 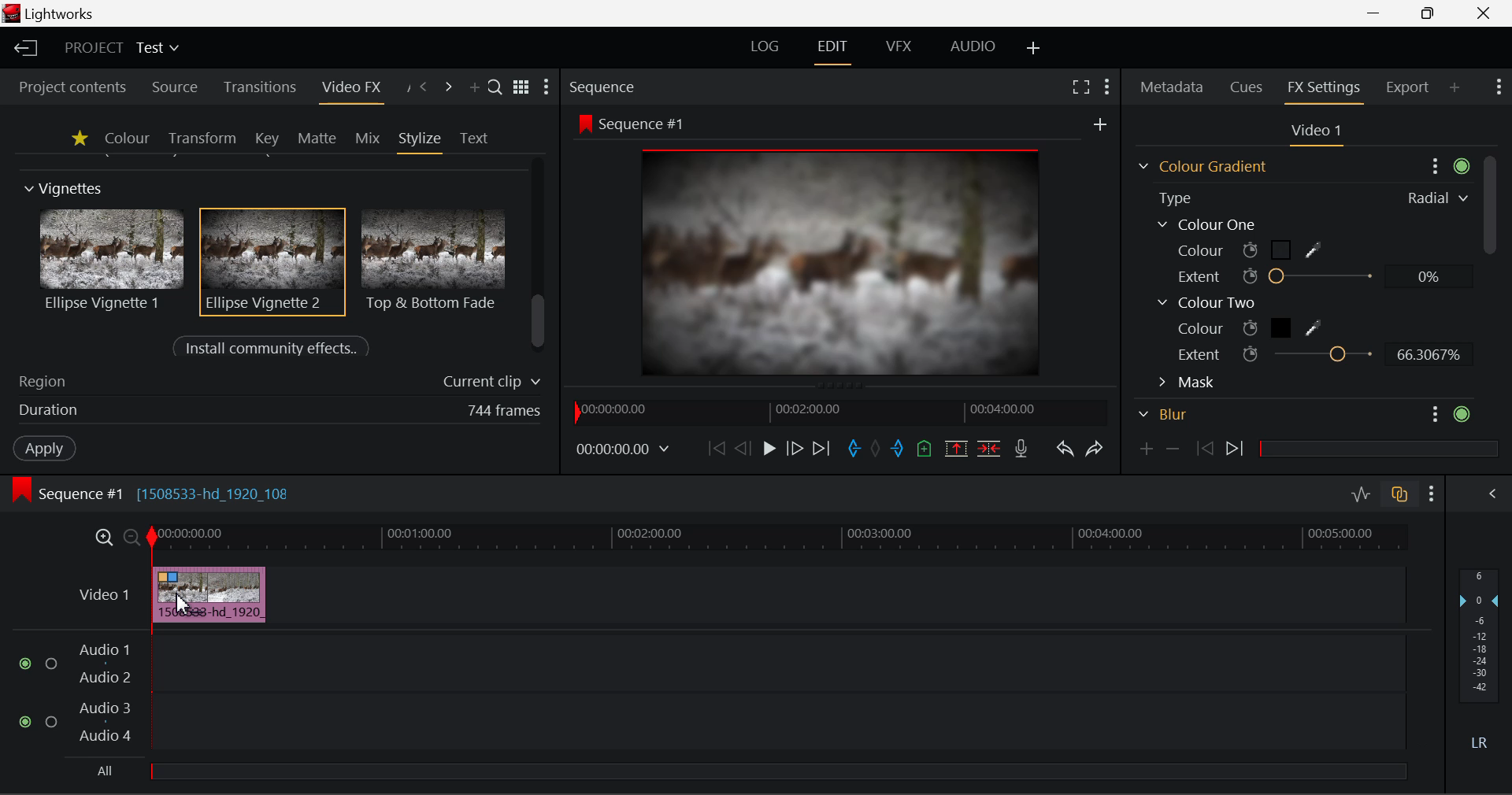 What do you see at coordinates (274, 262) in the screenshot?
I see `Effect Selected` at bounding box center [274, 262].